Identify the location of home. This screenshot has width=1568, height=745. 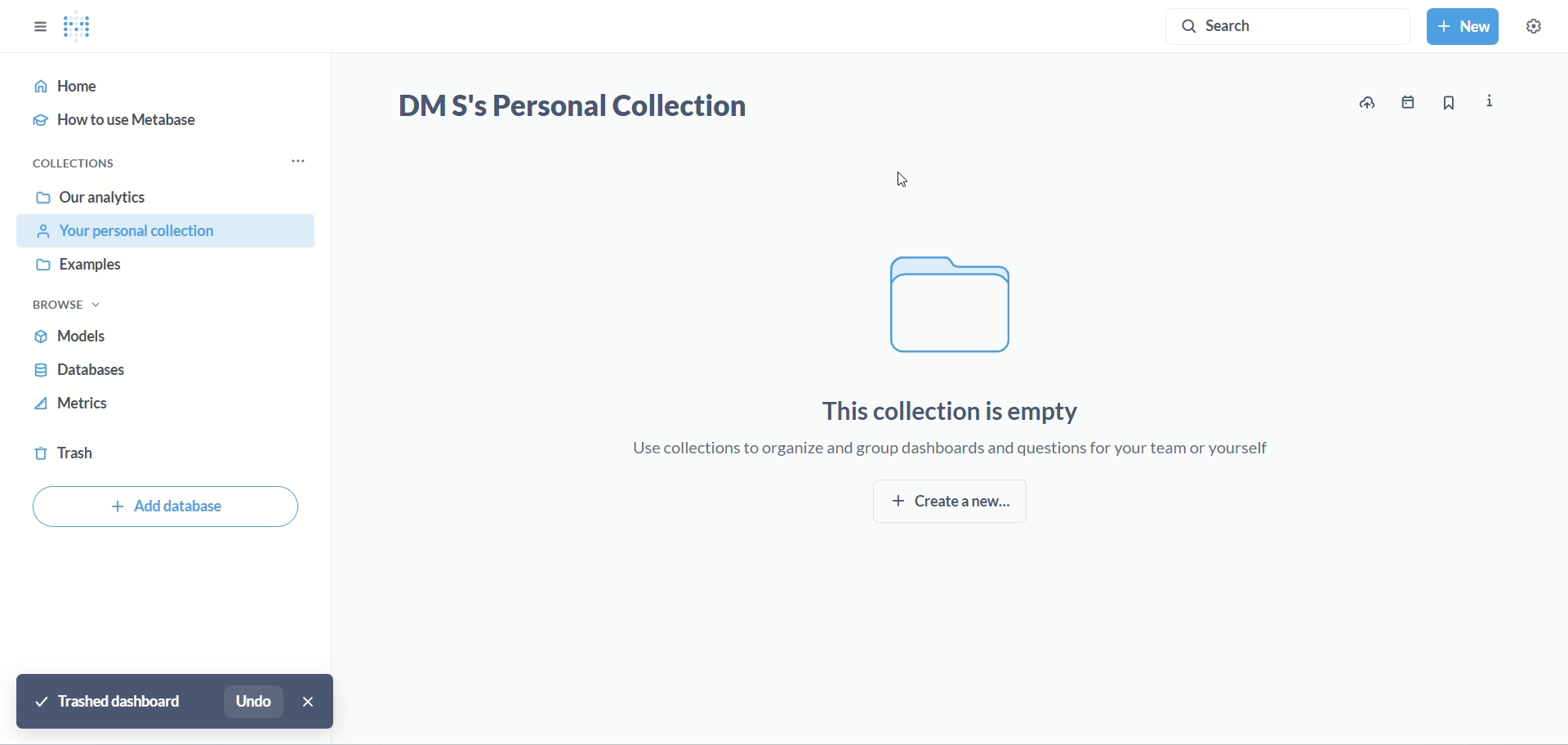
(160, 87).